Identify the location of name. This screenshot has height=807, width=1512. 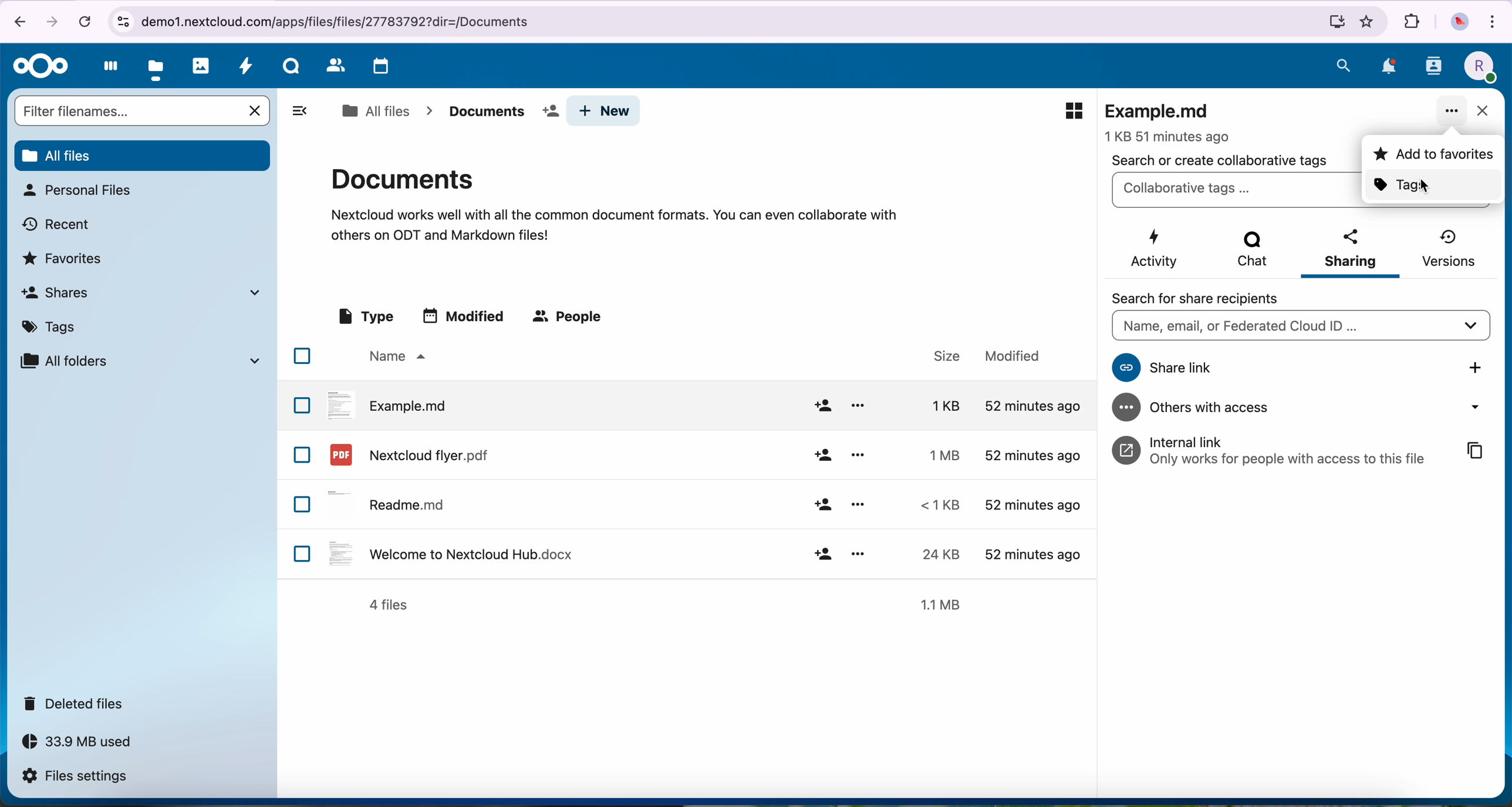
(395, 357).